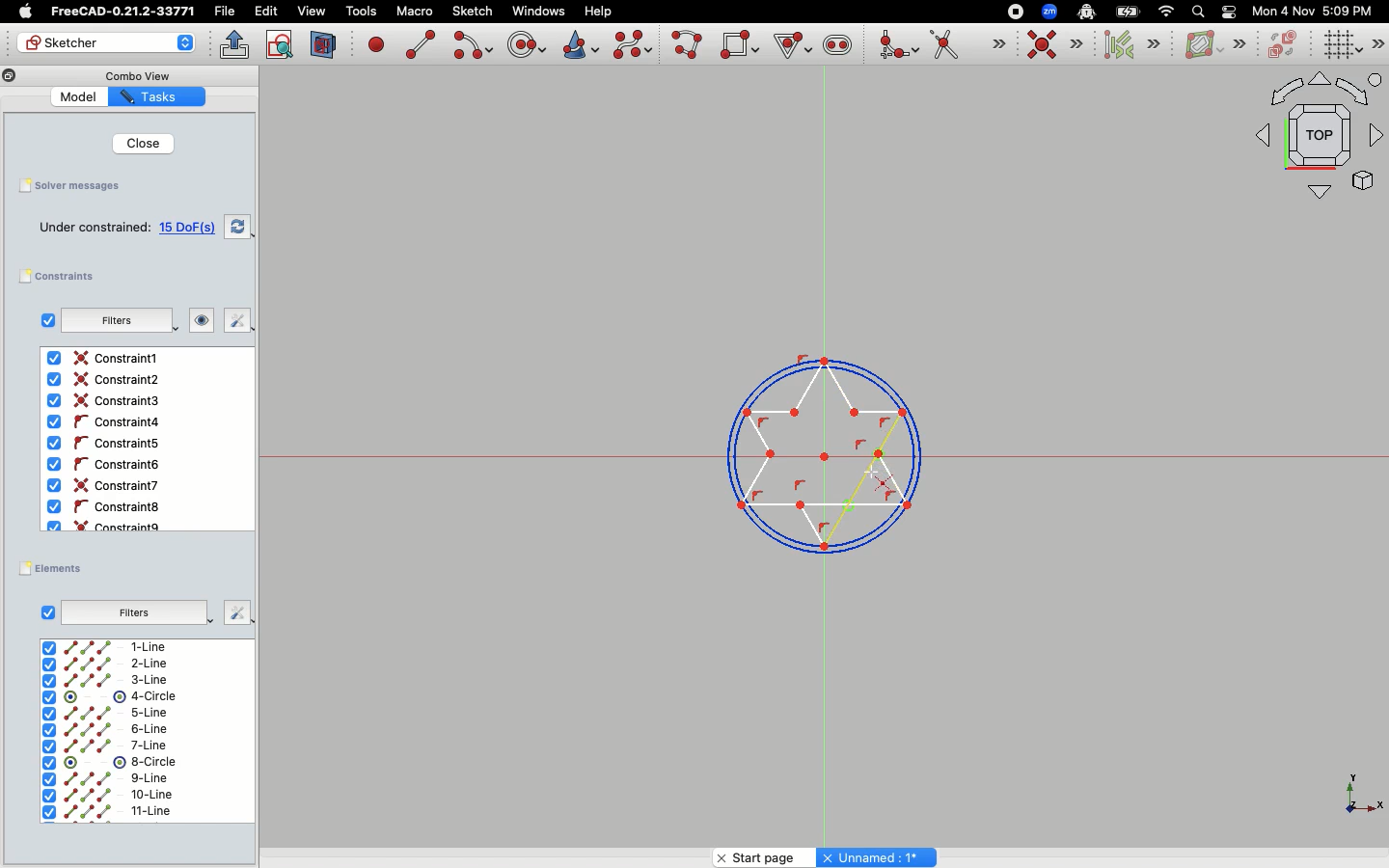 The width and height of the screenshot is (1389, 868). I want to click on Constraint9, so click(109, 525).